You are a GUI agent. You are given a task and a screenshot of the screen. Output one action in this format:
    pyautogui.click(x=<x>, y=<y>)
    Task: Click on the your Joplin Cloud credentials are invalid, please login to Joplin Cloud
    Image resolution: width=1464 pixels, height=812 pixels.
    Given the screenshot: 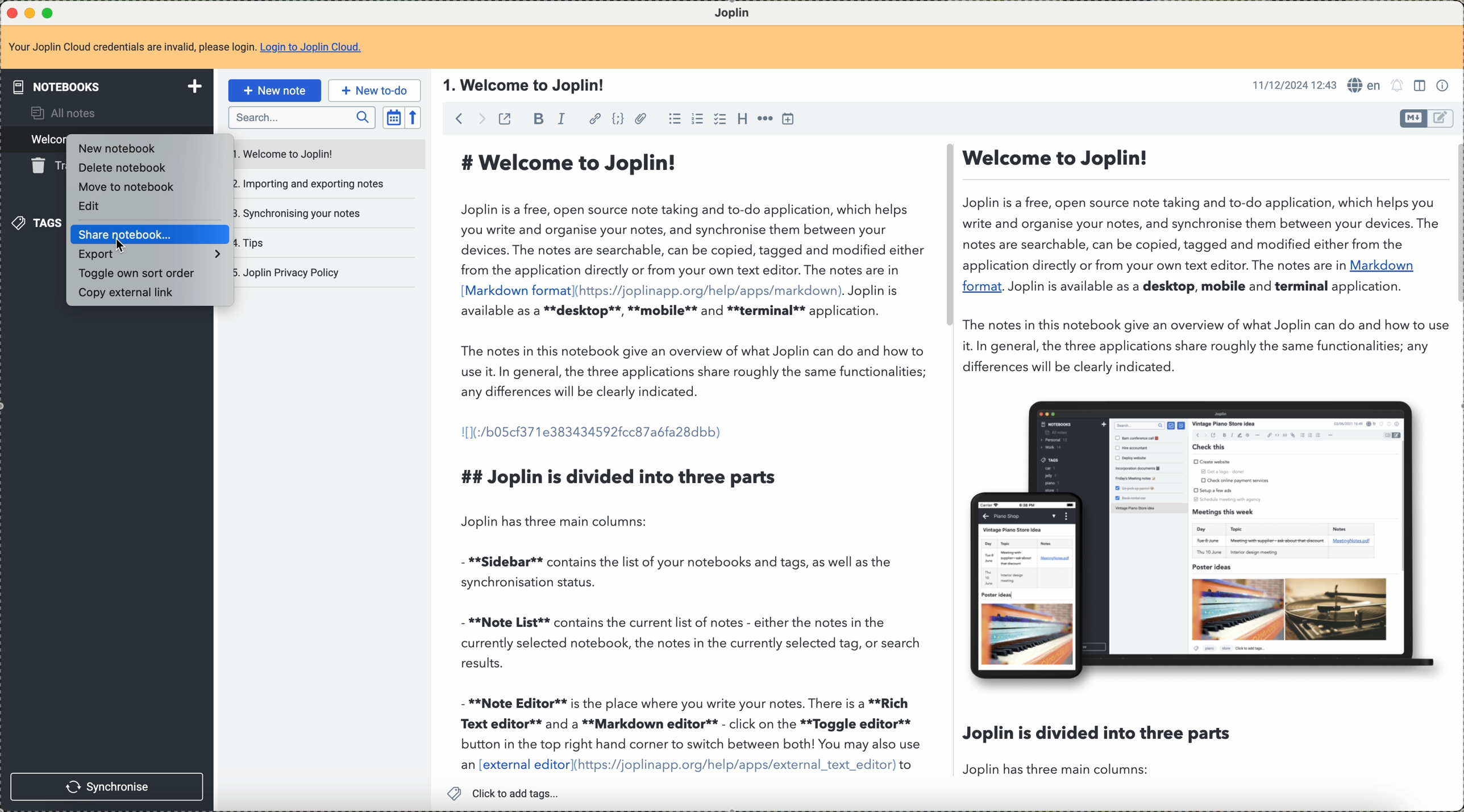 What is the action you would take?
    pyautogui.click(x=186, y=51)
    